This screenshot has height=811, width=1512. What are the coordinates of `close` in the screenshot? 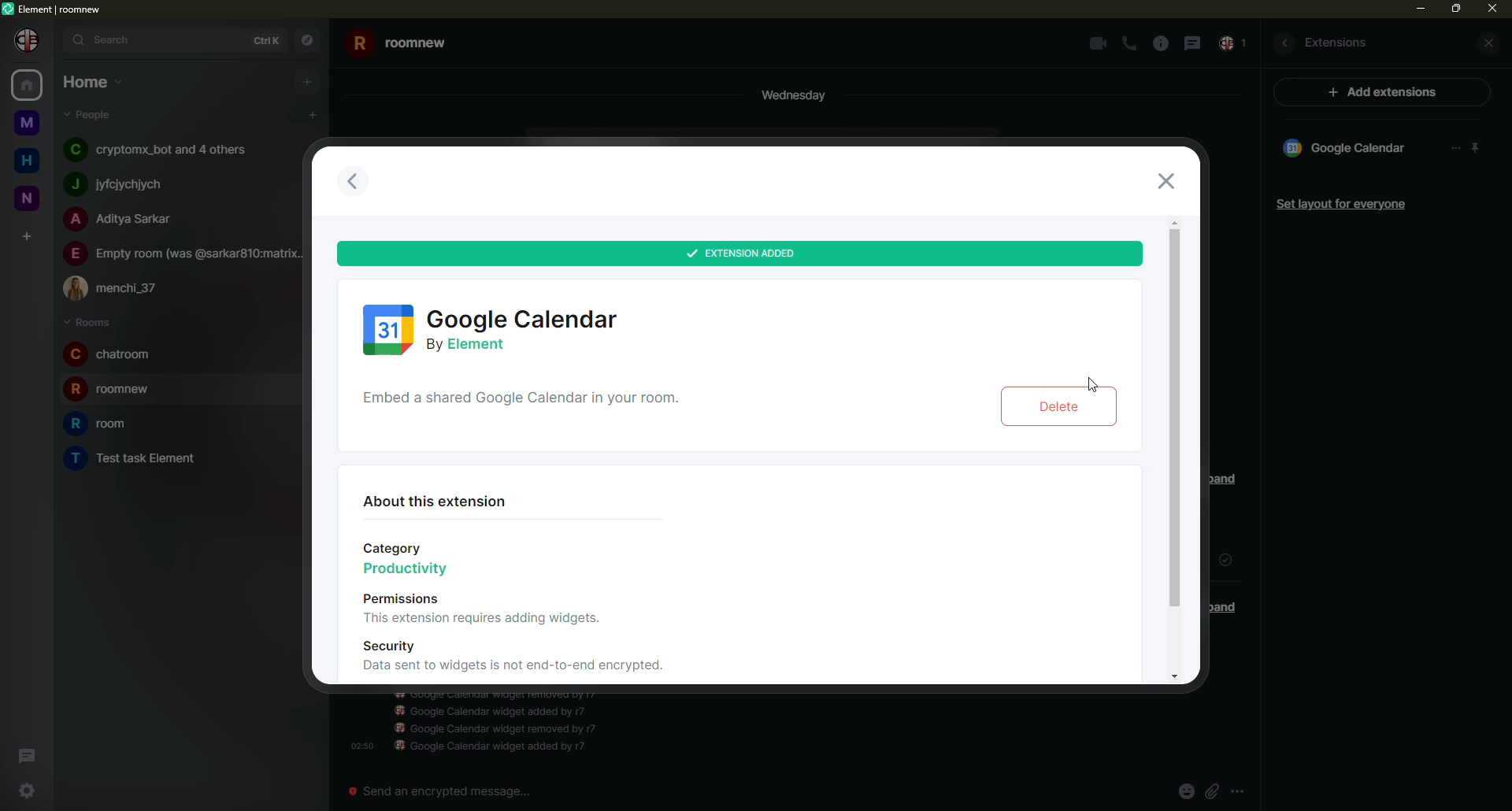 It's located at (1167, 180).